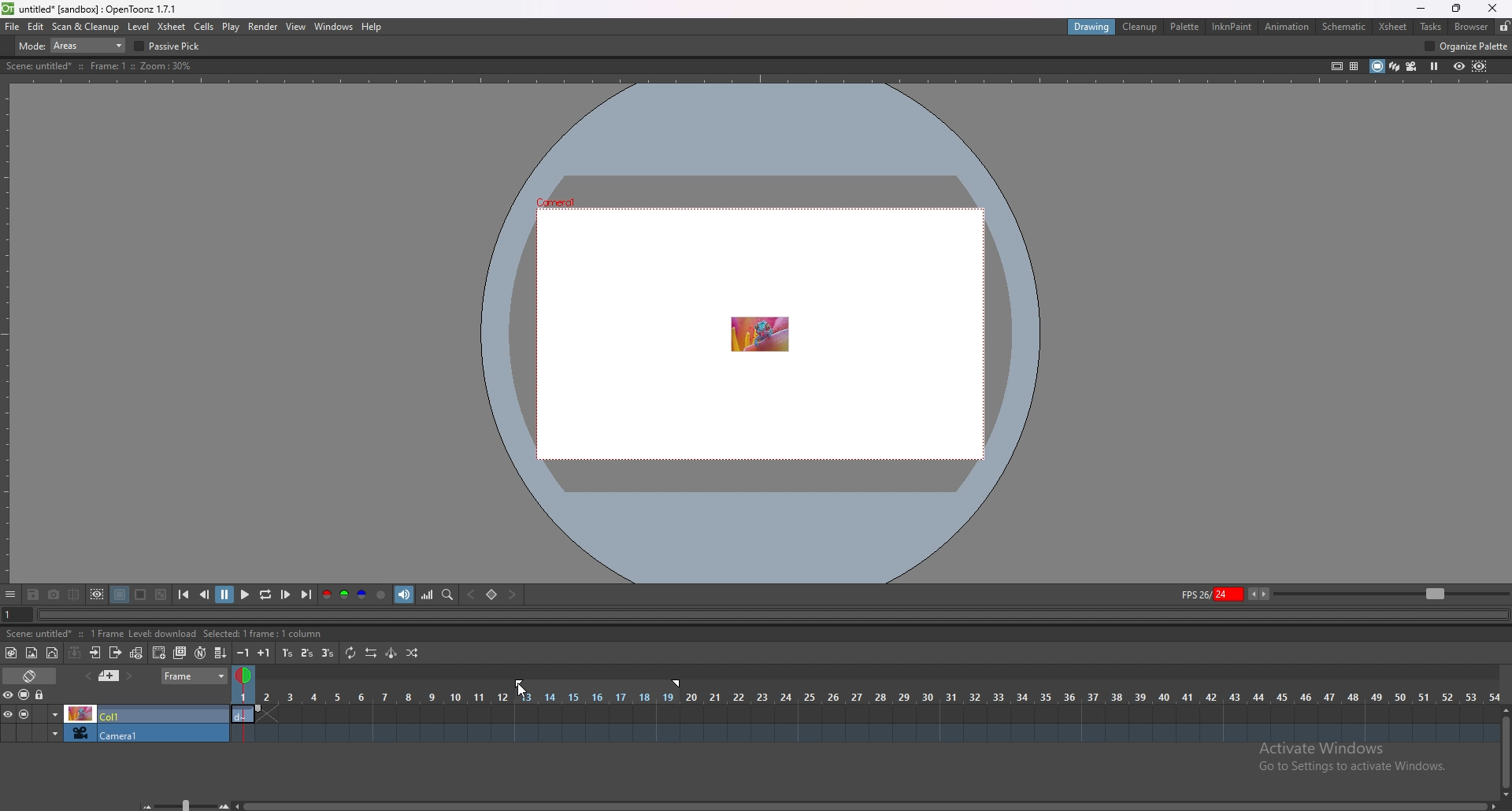  What do you see at coordinates (1456, 9) in the screenshot?
I see `resize` at bounding box center [1456, 9].